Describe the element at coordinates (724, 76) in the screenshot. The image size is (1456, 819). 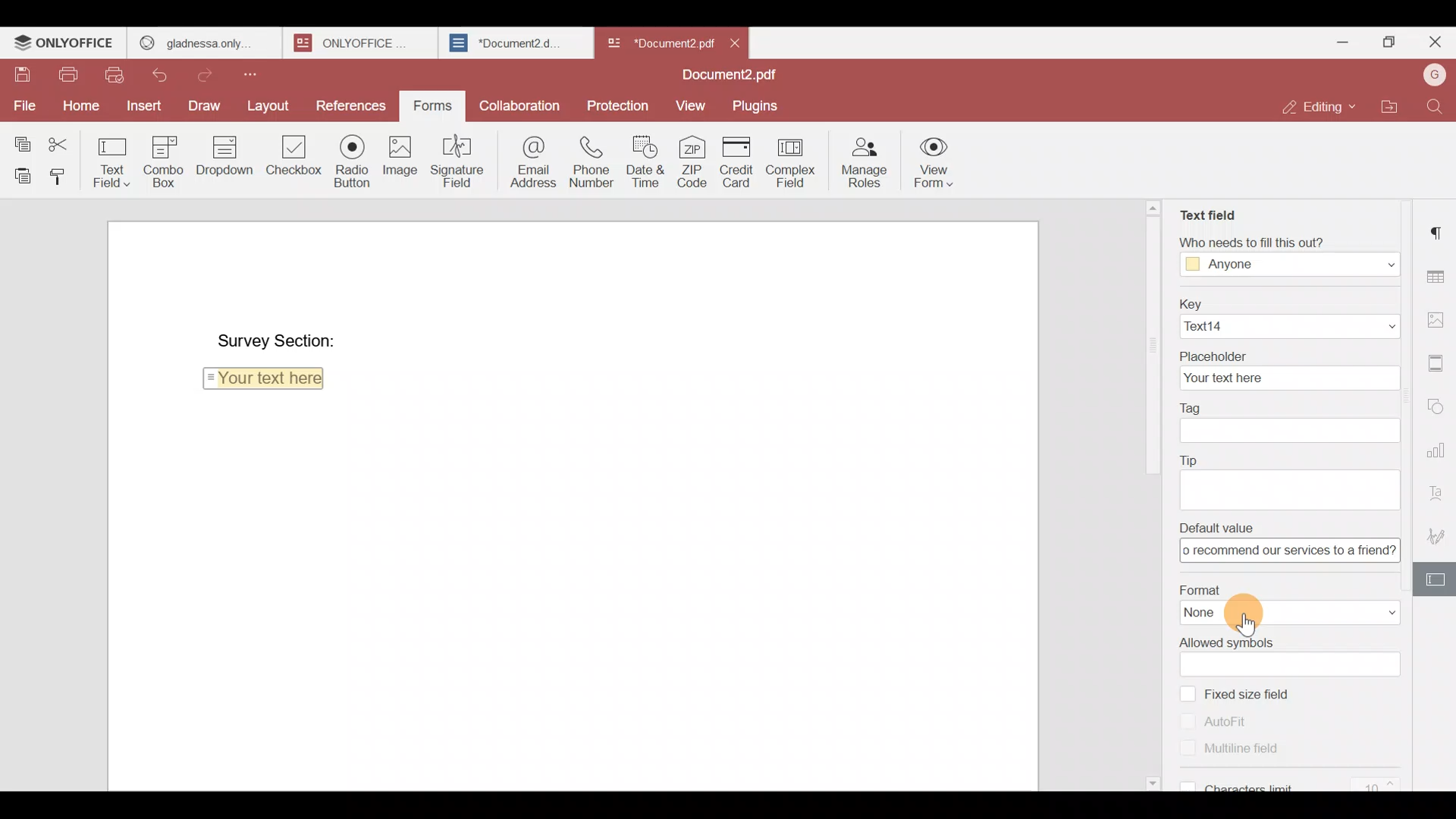
I see `Document2.pdf` at that location.